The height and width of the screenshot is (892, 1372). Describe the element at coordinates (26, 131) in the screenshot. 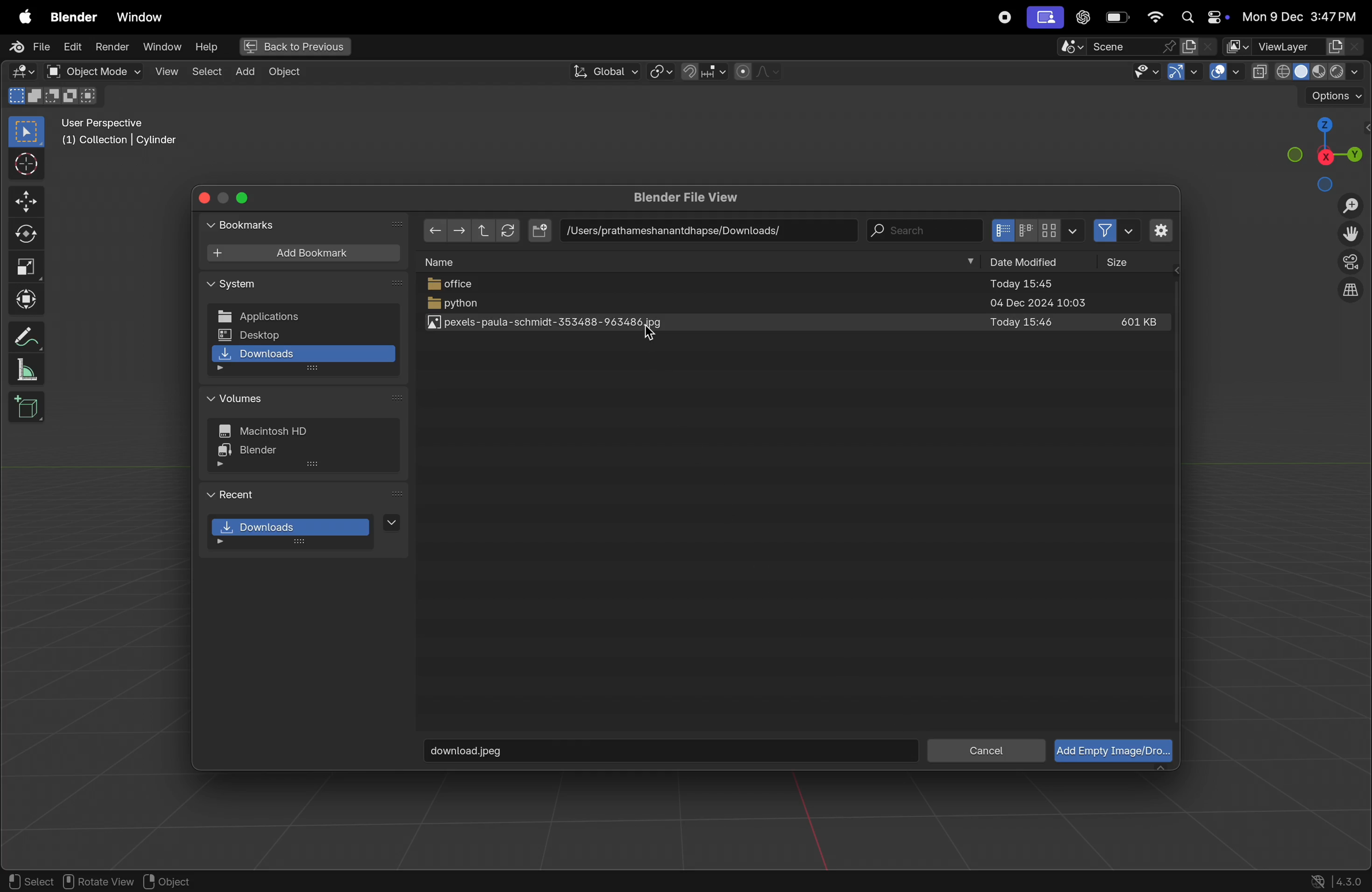

I see `select point` at that location.